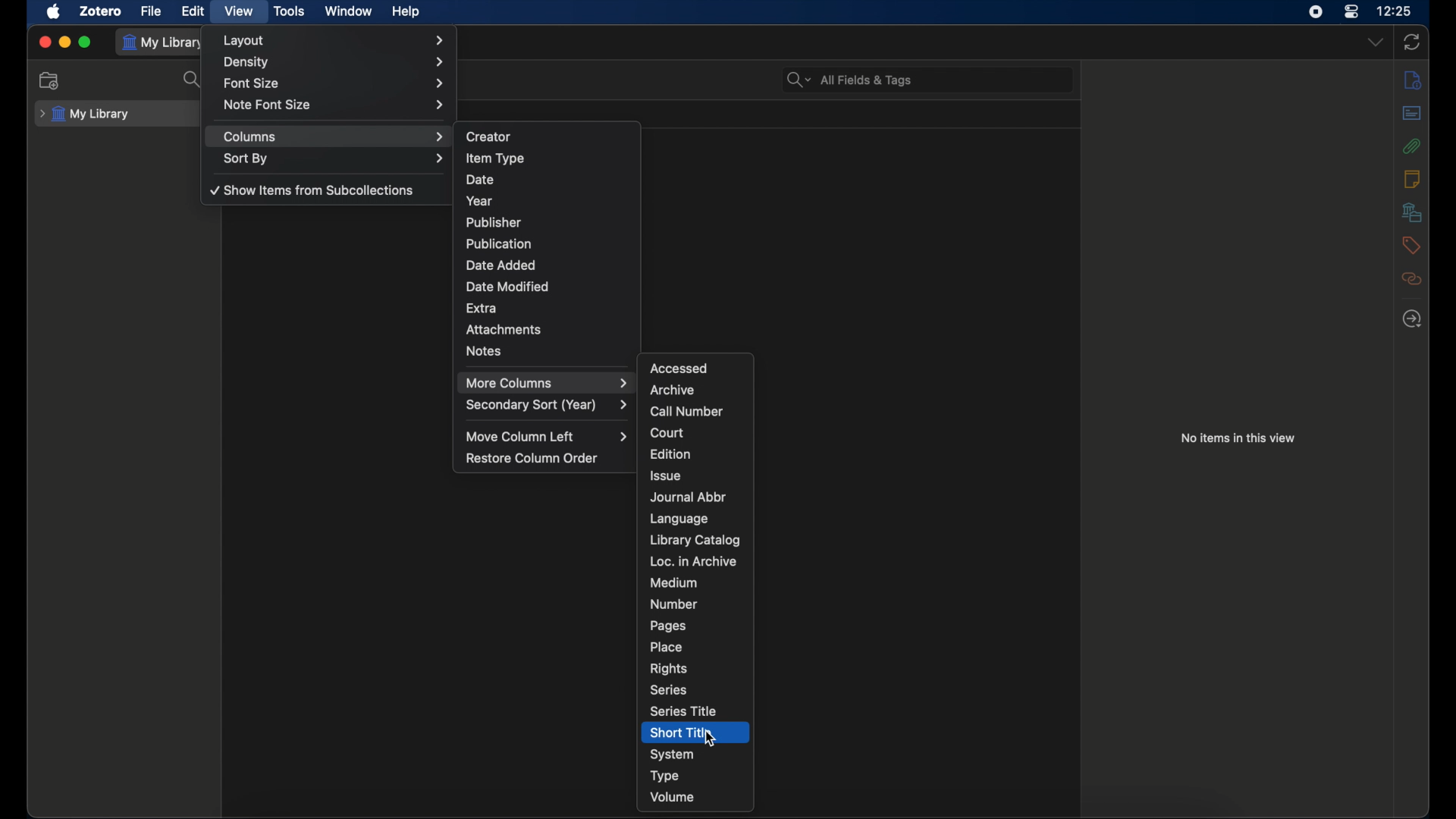 The image size is (1456, 819). What do you see at coordinates (681, 369) in the screenshot?
I see `accessed` at bounding box center [681, 369].